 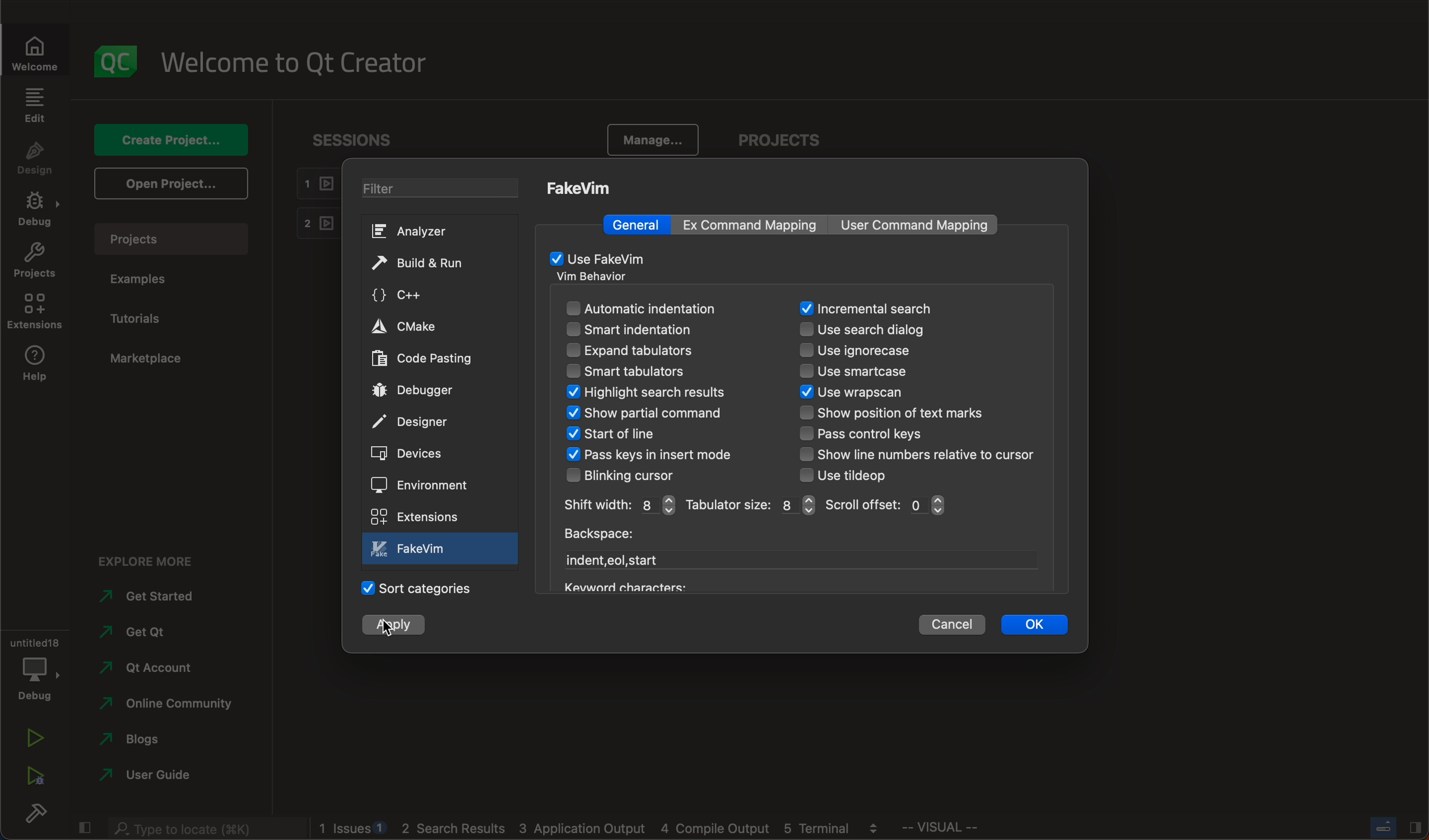 What do you see at coordinates (1398, 829) in the screenshot?
I see `close slide bar` at bounding box center [1398, 829].